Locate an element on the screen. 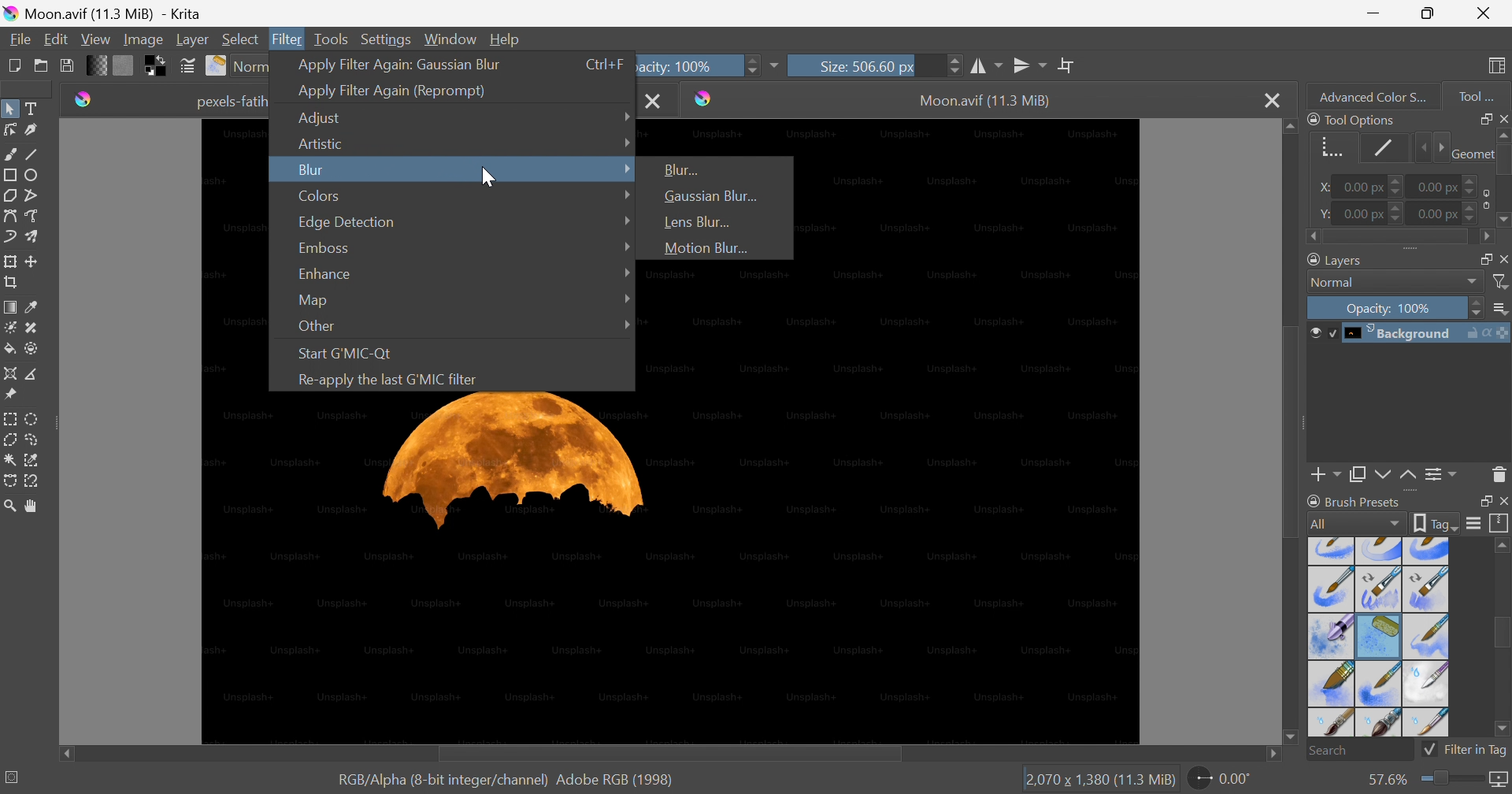 The height and width of the screenshot is (794, 1512). Storage resources is located at coordinates (1501, 523).